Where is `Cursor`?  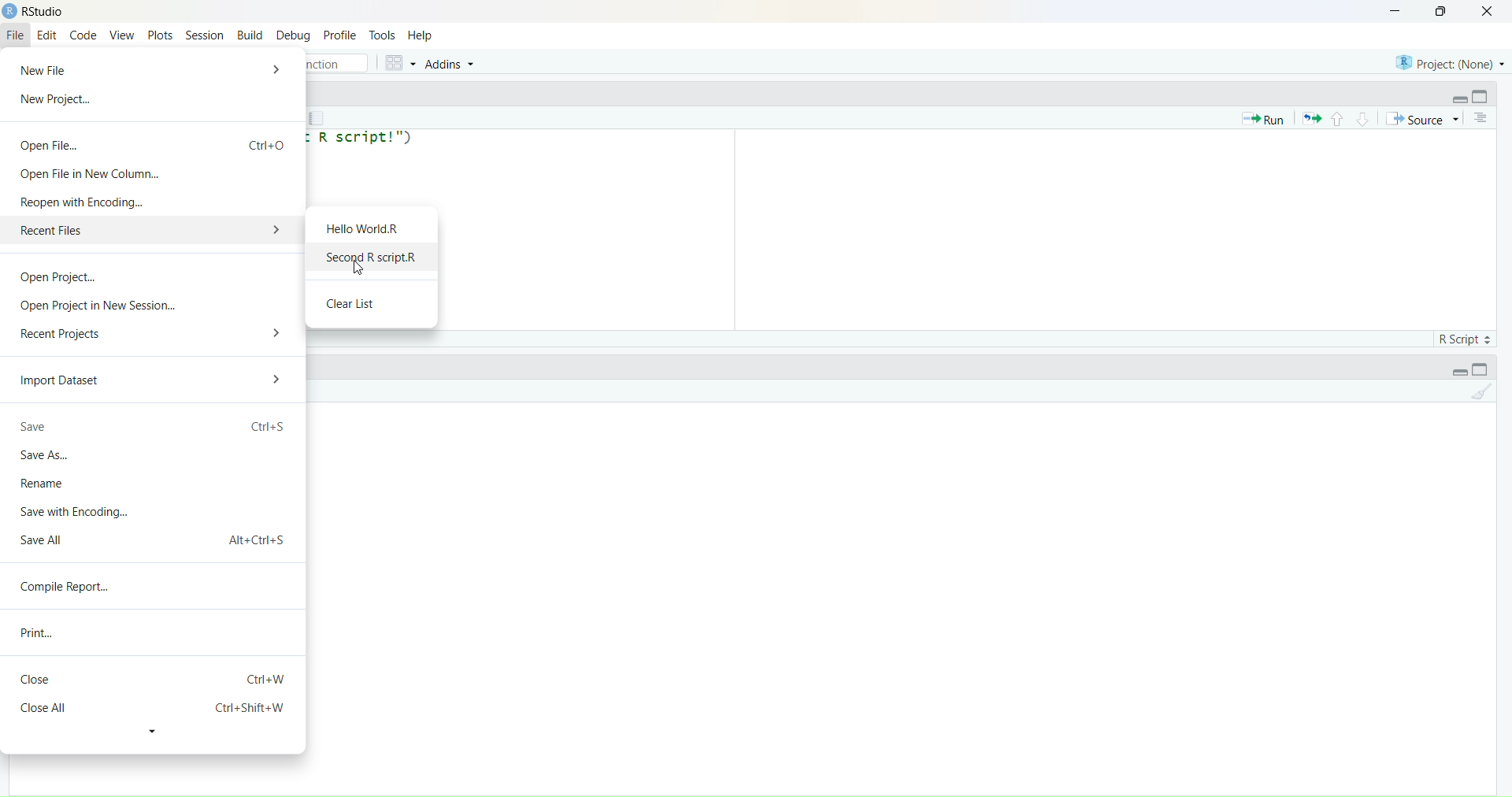 Cursor is located at coordinates (363, 268).